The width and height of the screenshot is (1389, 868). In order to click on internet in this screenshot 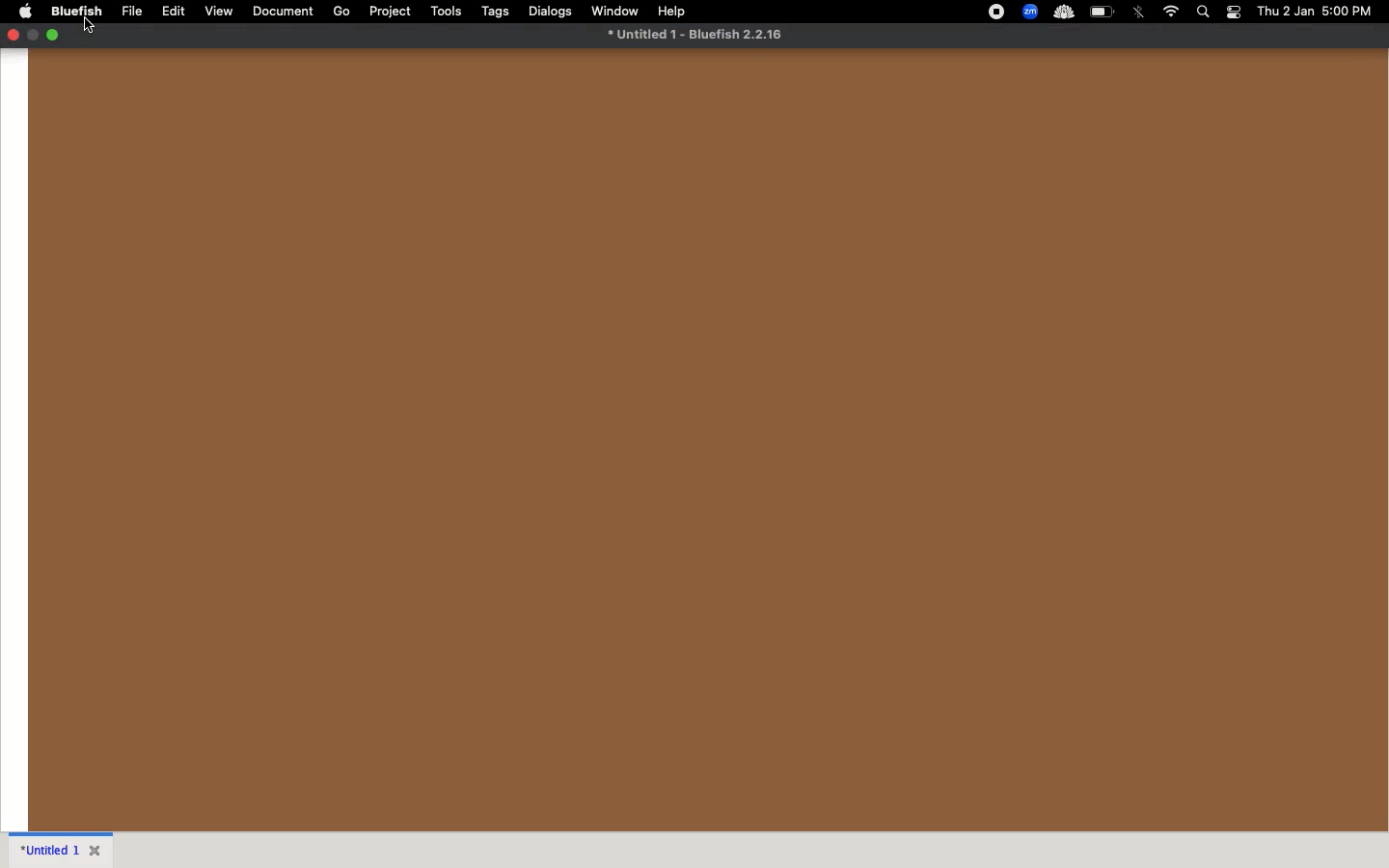, I will do `click(1172, 12)`.